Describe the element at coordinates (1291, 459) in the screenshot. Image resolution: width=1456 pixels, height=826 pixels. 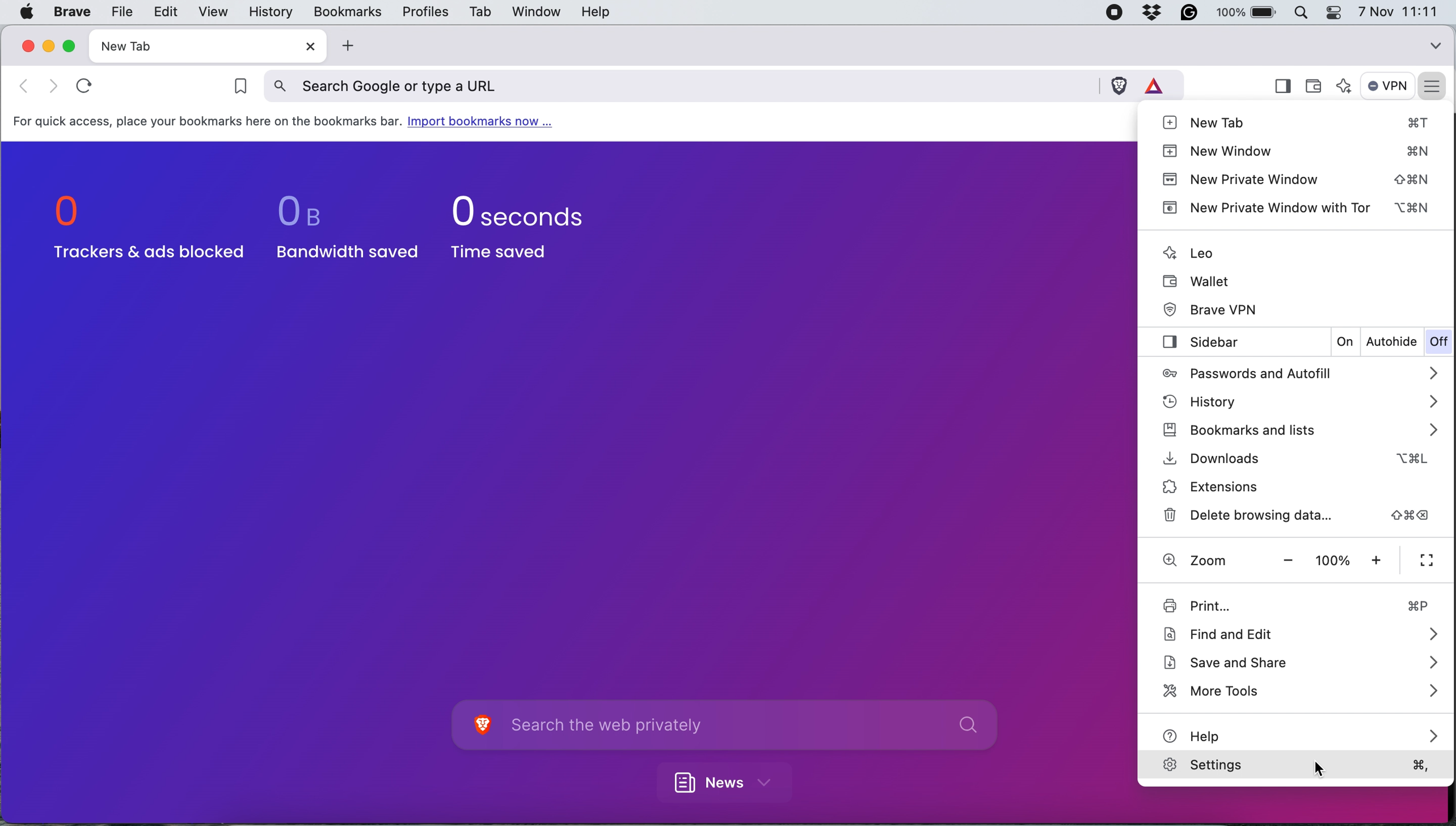
I see `downloads` at that location.